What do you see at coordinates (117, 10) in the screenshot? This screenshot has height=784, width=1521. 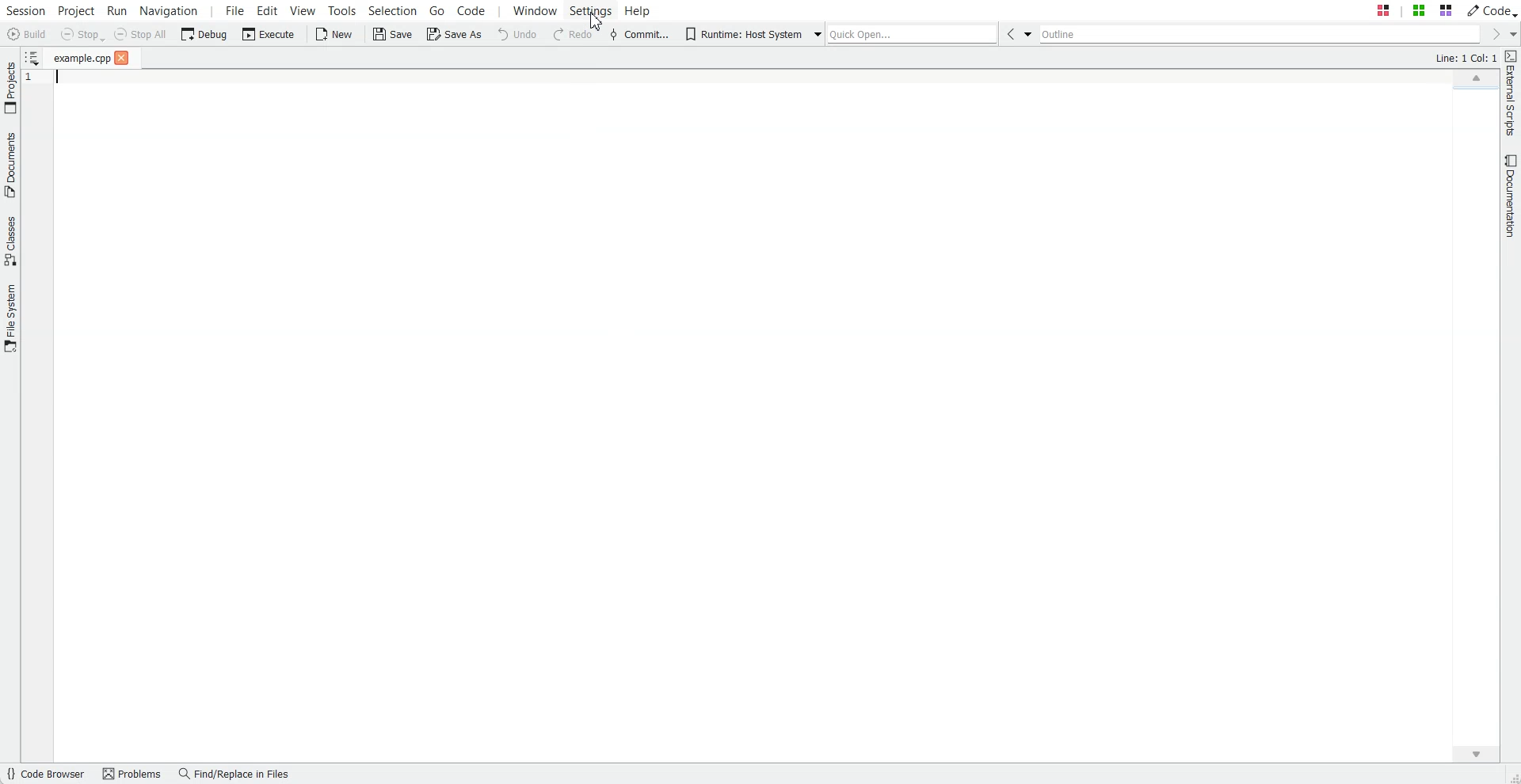 I see `Run` at bounding box center [117, 10].